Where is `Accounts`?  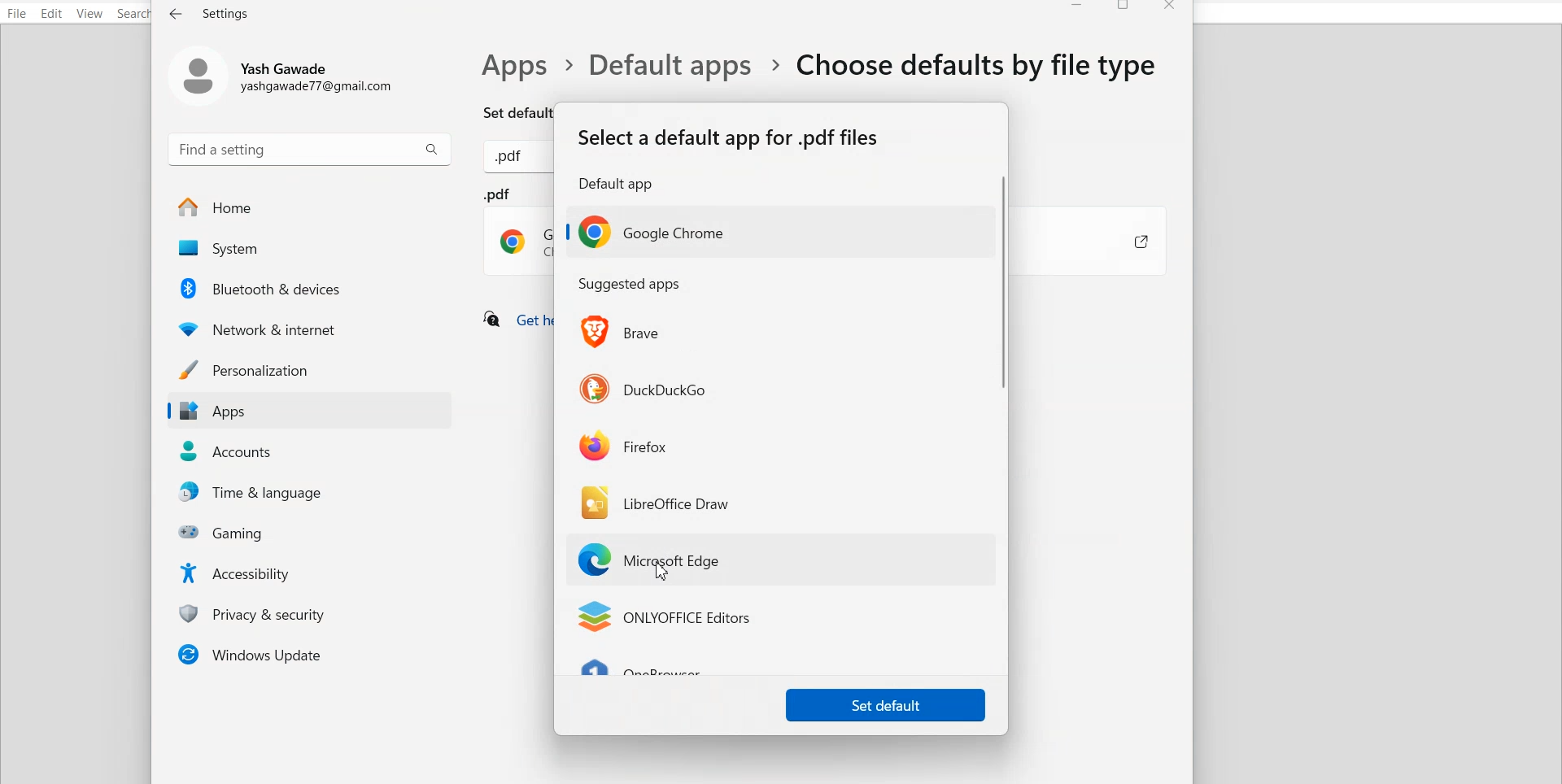
Accounts is located at coordinates (311, 451).